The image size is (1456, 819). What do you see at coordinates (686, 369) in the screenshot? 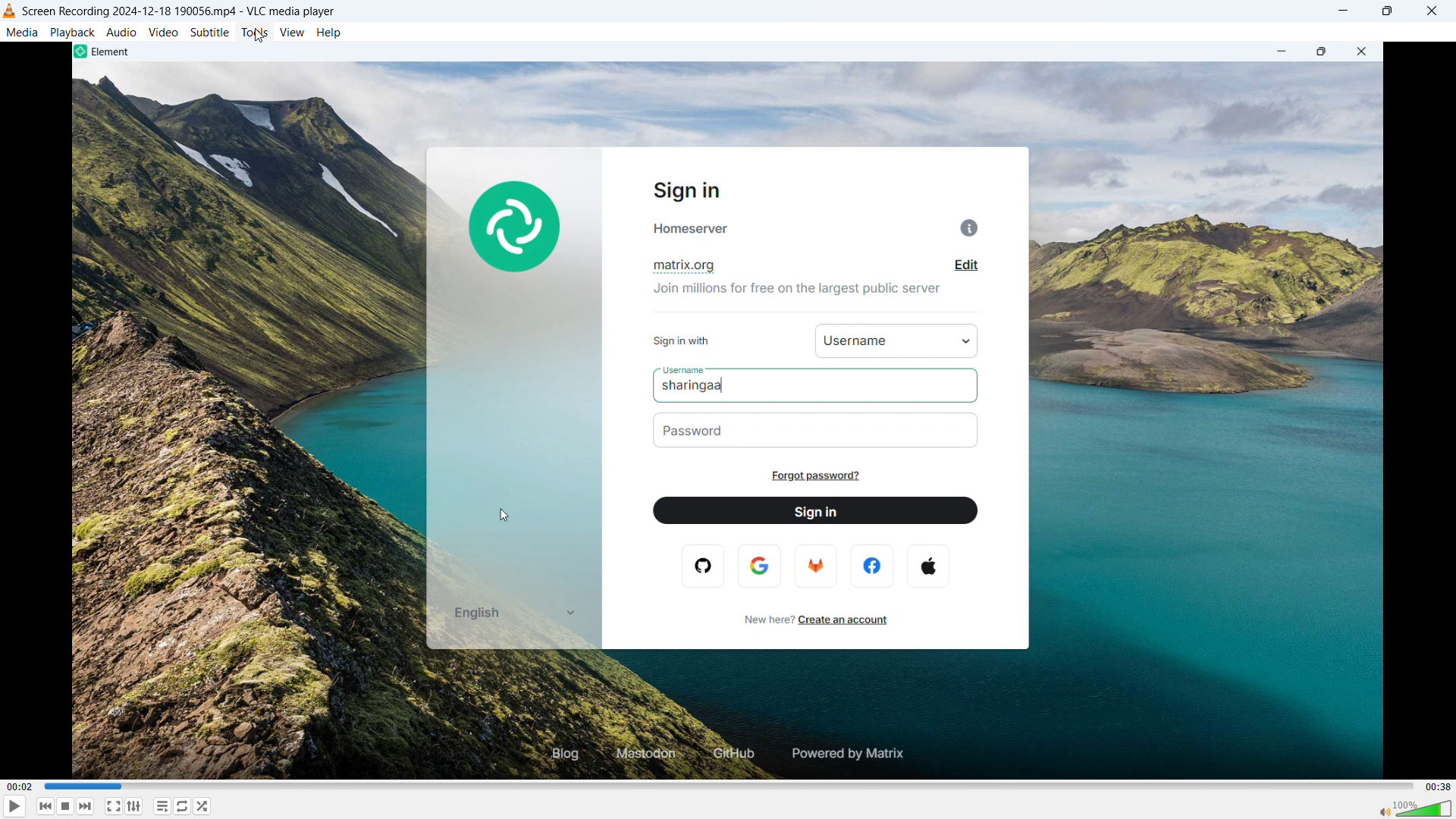
I see `username` at bounding box center [686, 369].